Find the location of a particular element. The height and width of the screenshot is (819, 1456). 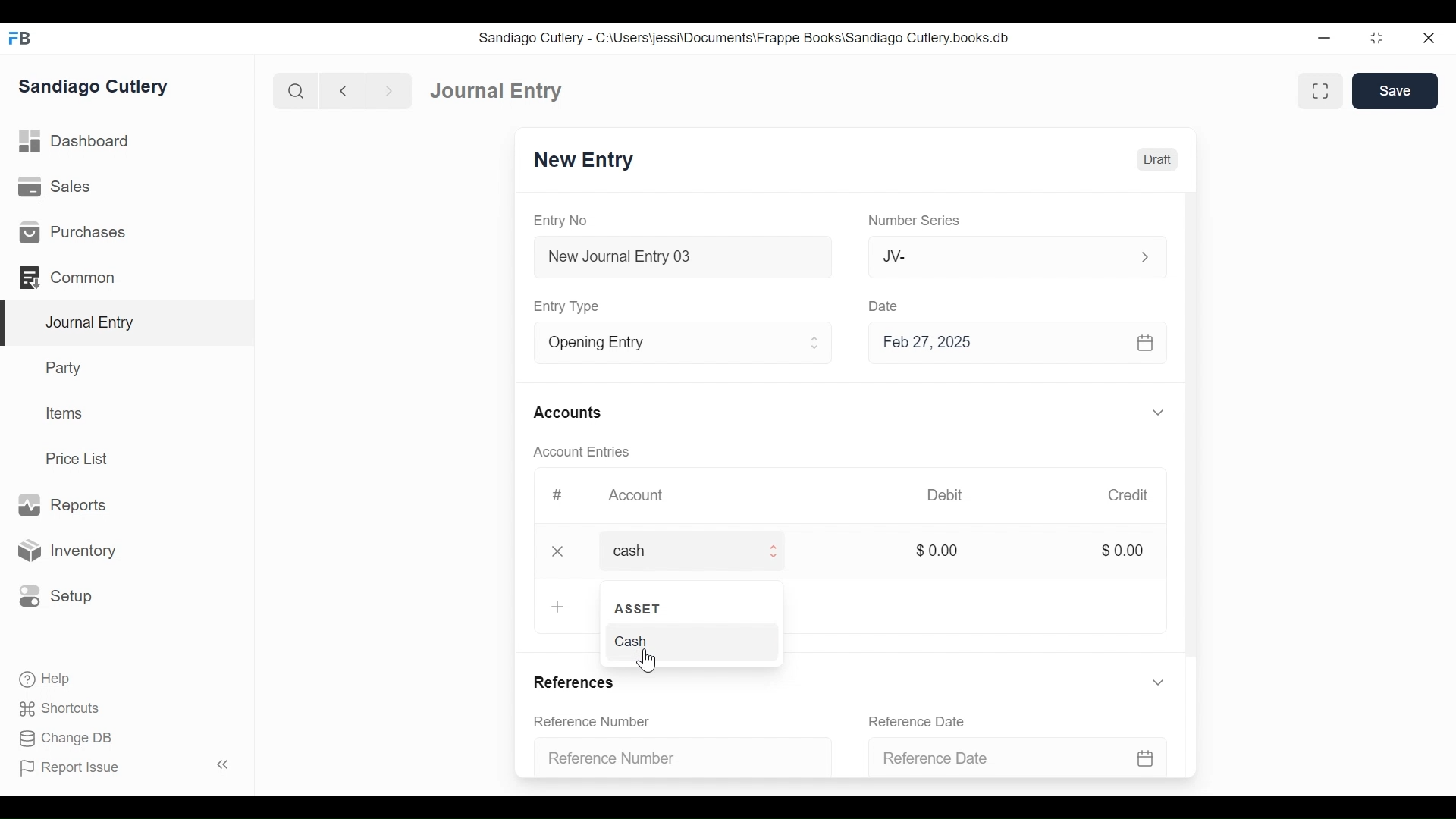

Expand is located at coordinates (1160, 412).